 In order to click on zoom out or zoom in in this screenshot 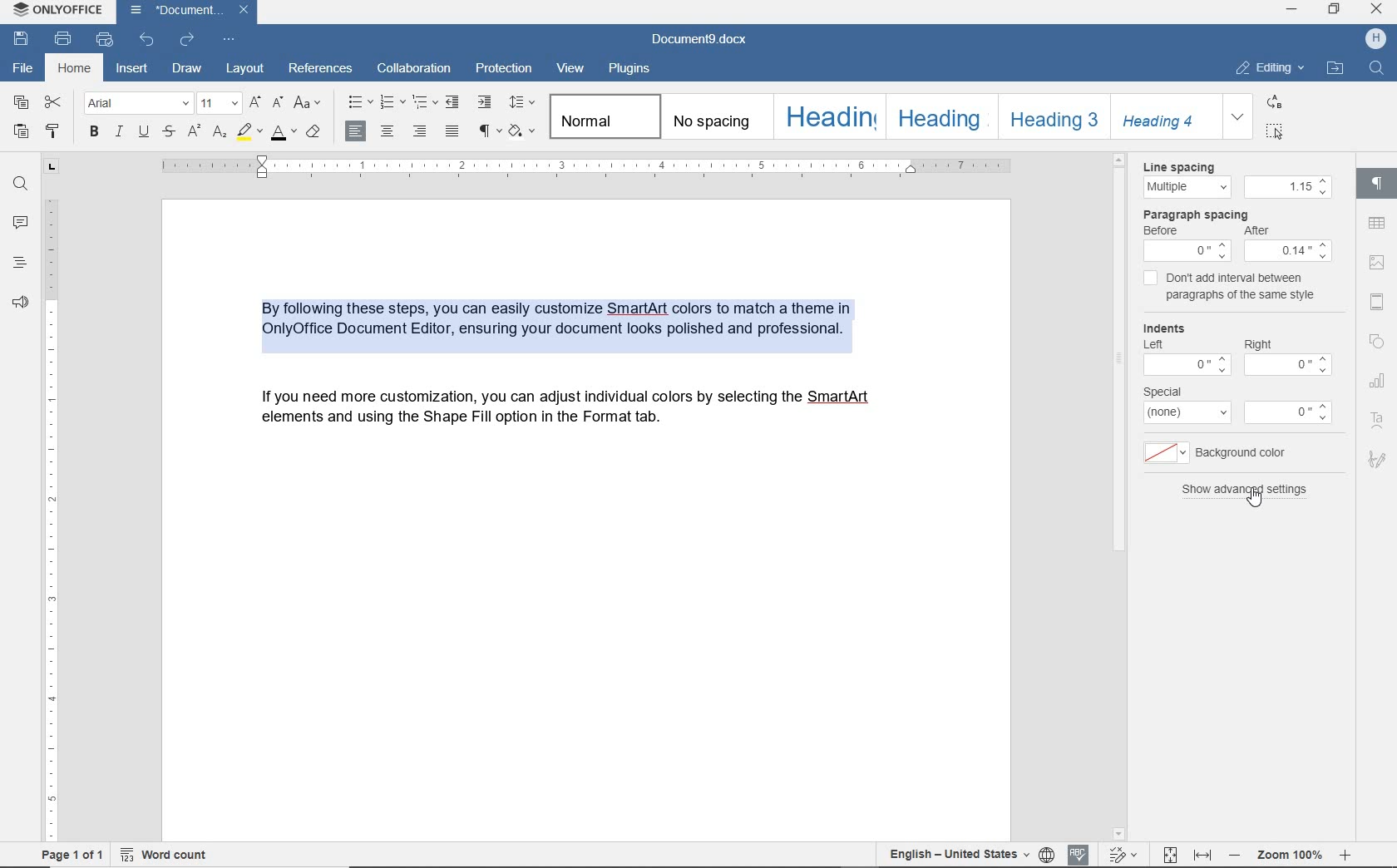, I will do `click(1291, 856)`.